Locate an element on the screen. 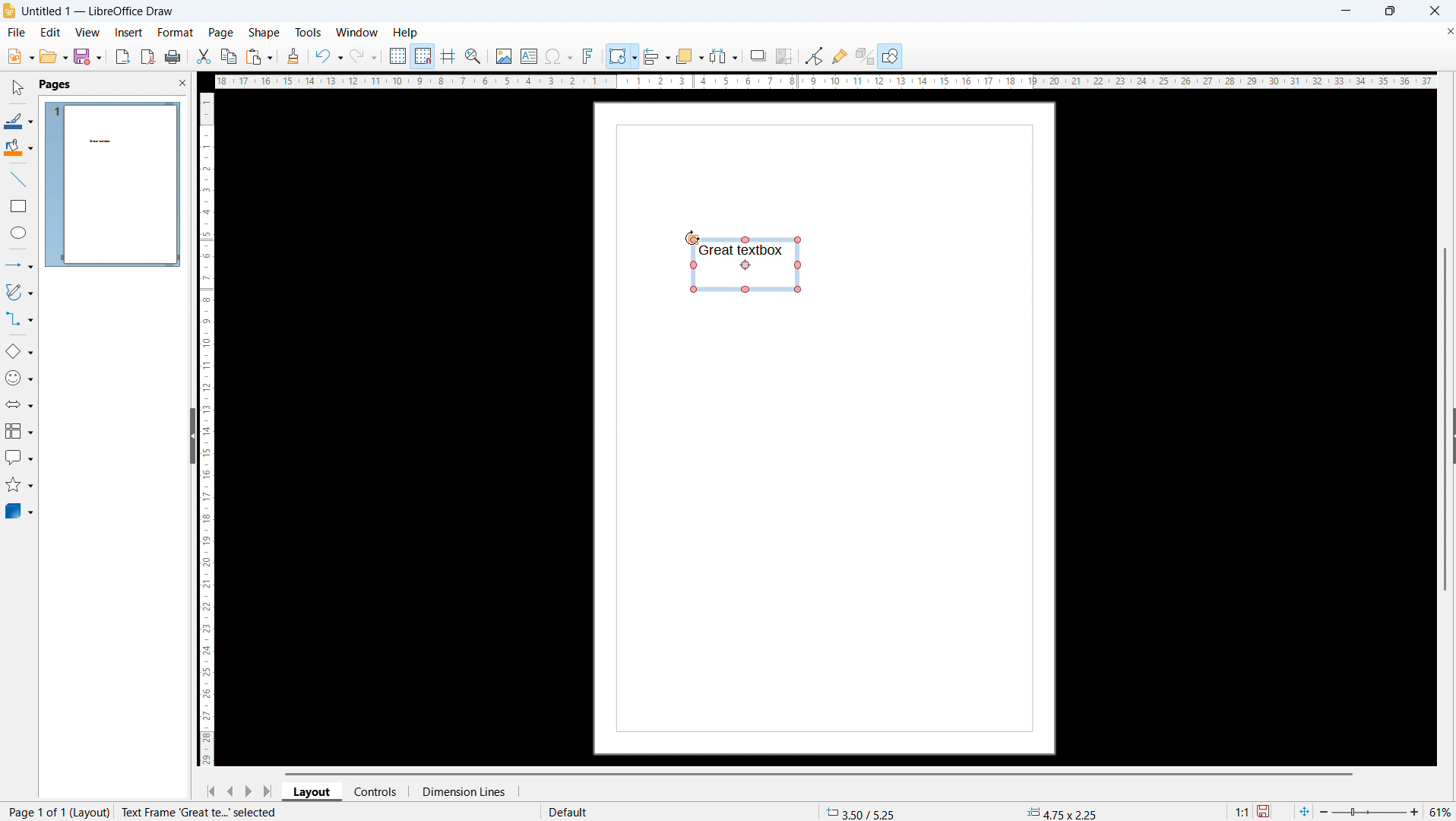 The height and width of the screenshot is (821, 1456). transformation is located at coordinates (622, 55).